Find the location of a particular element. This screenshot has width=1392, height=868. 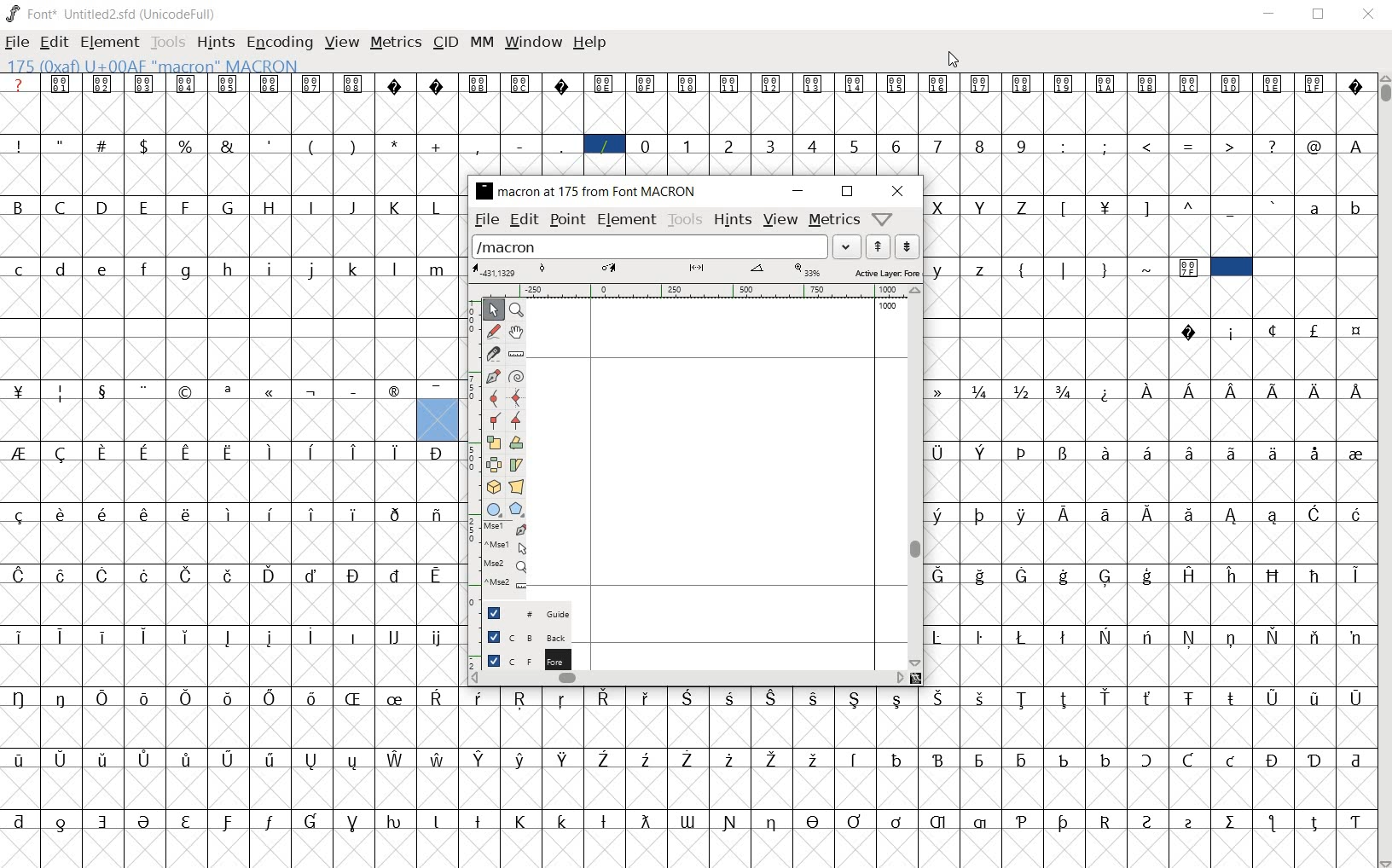

Symbol is located at coordinates (187, 84).